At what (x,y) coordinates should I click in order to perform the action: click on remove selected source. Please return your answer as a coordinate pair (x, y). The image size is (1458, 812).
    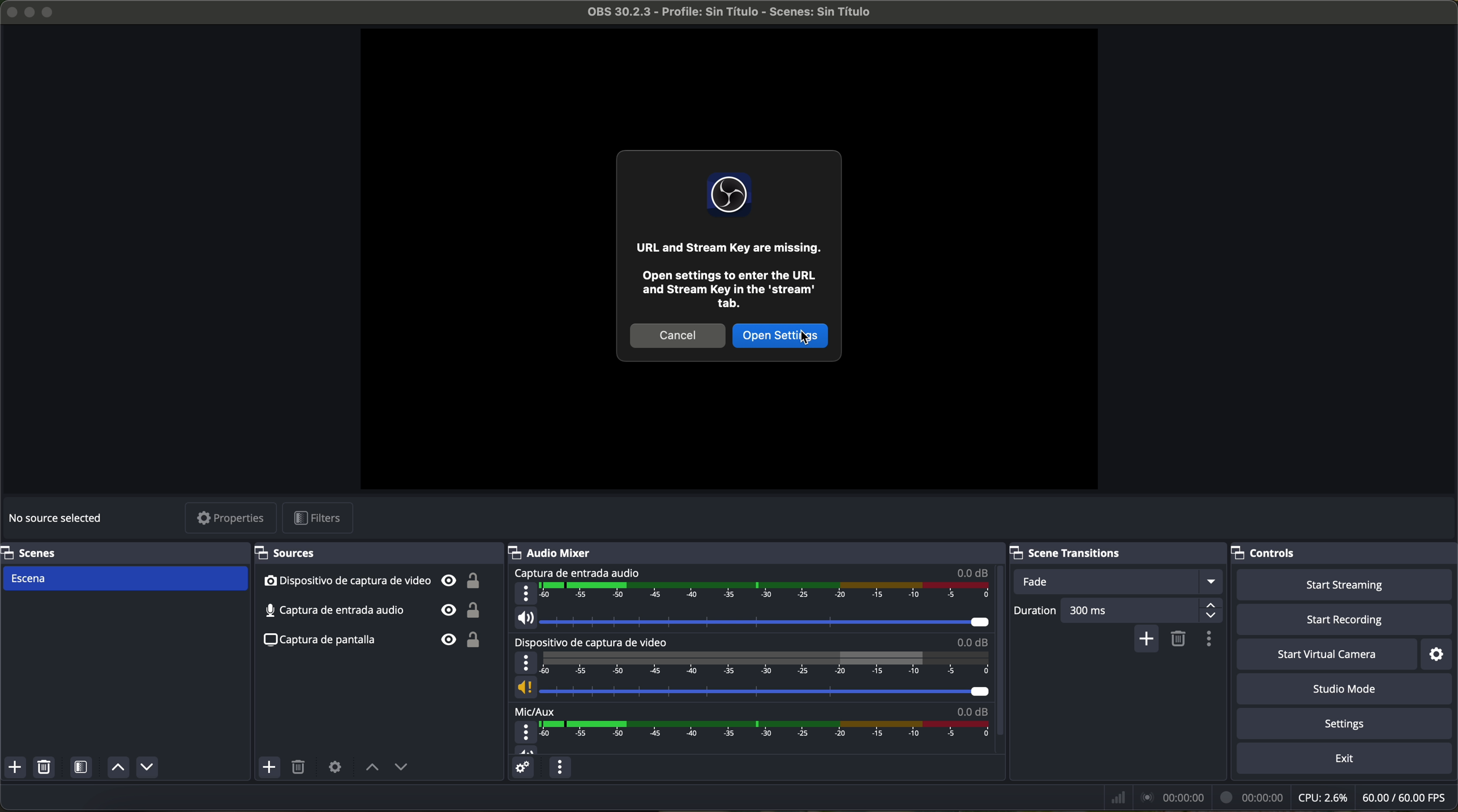
    Looking at the image, I should click on (301, 768).